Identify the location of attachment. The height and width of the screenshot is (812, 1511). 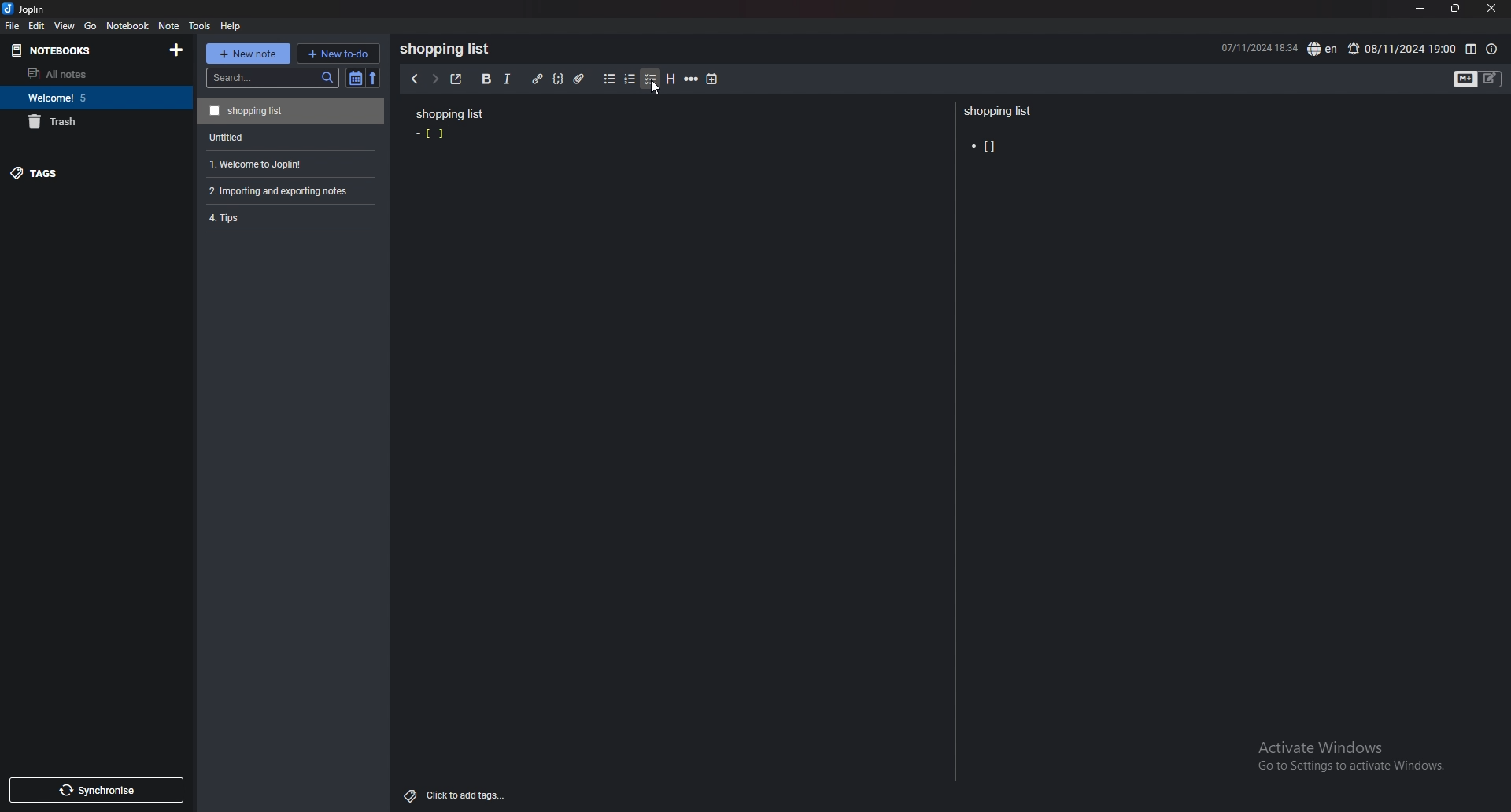
(582, 79).